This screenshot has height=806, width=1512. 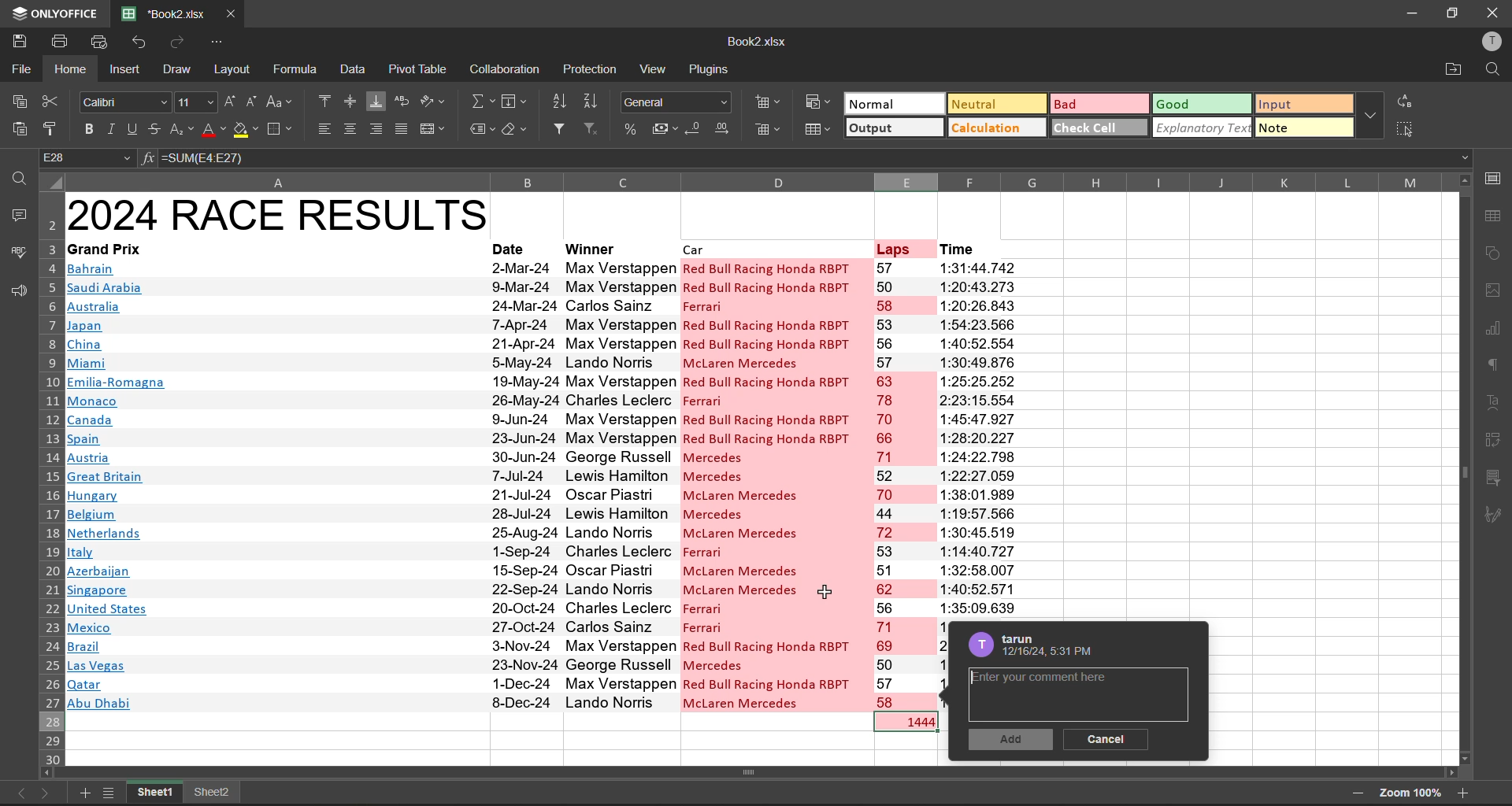 I want to click on zoom in, so click(x=1462, y=794).